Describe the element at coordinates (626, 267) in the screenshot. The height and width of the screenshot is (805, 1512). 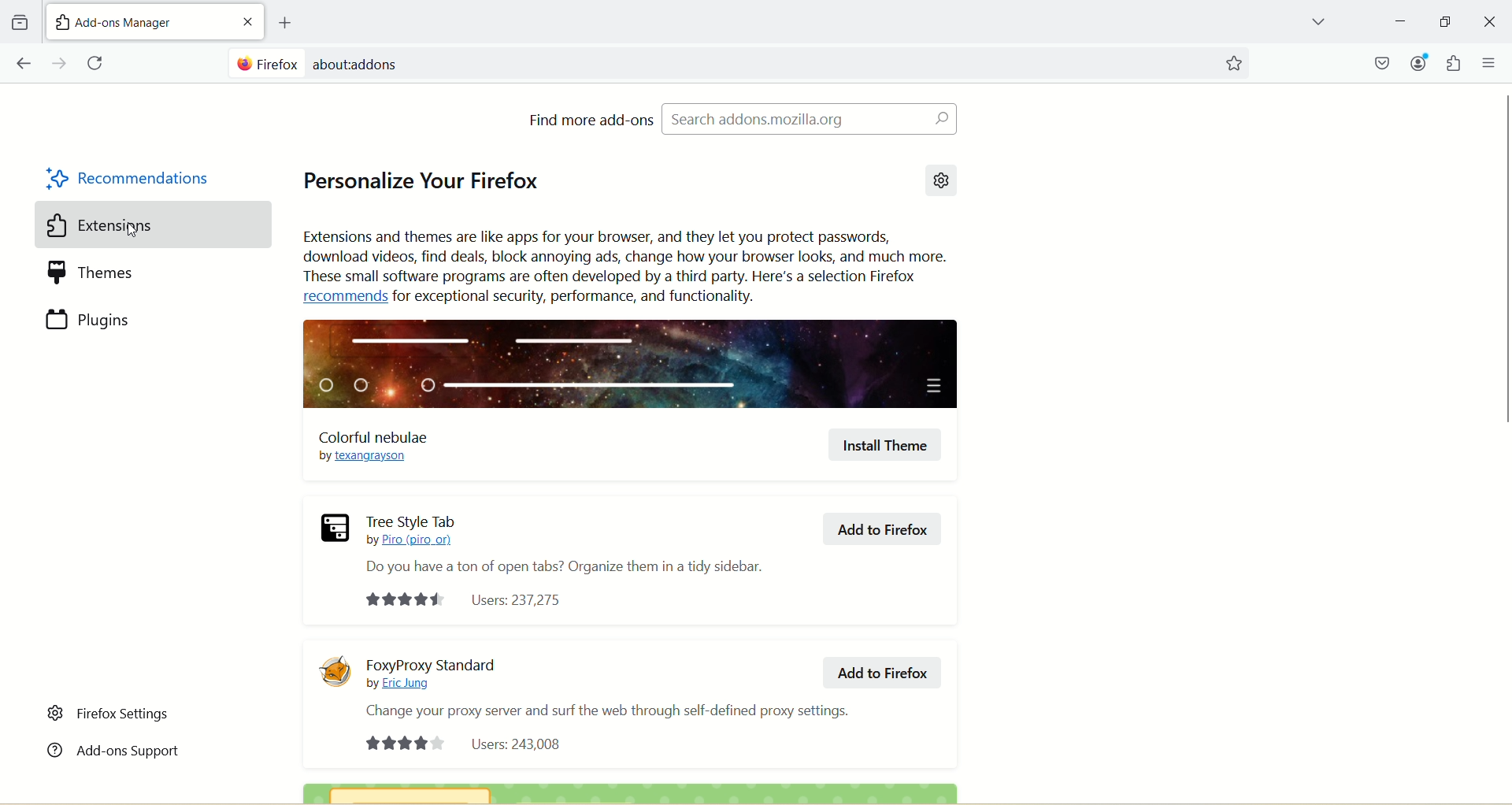
I see `Extensions and themes are like apps for your browser, and they let you protect passwords,
download videos, find deals, block annoying ads, change how your browser looks, and much more.
These small software programs are often developed by a third party. Here's a selection Firefox
recommends for exceptional security, performance, and functionality.` at that location.